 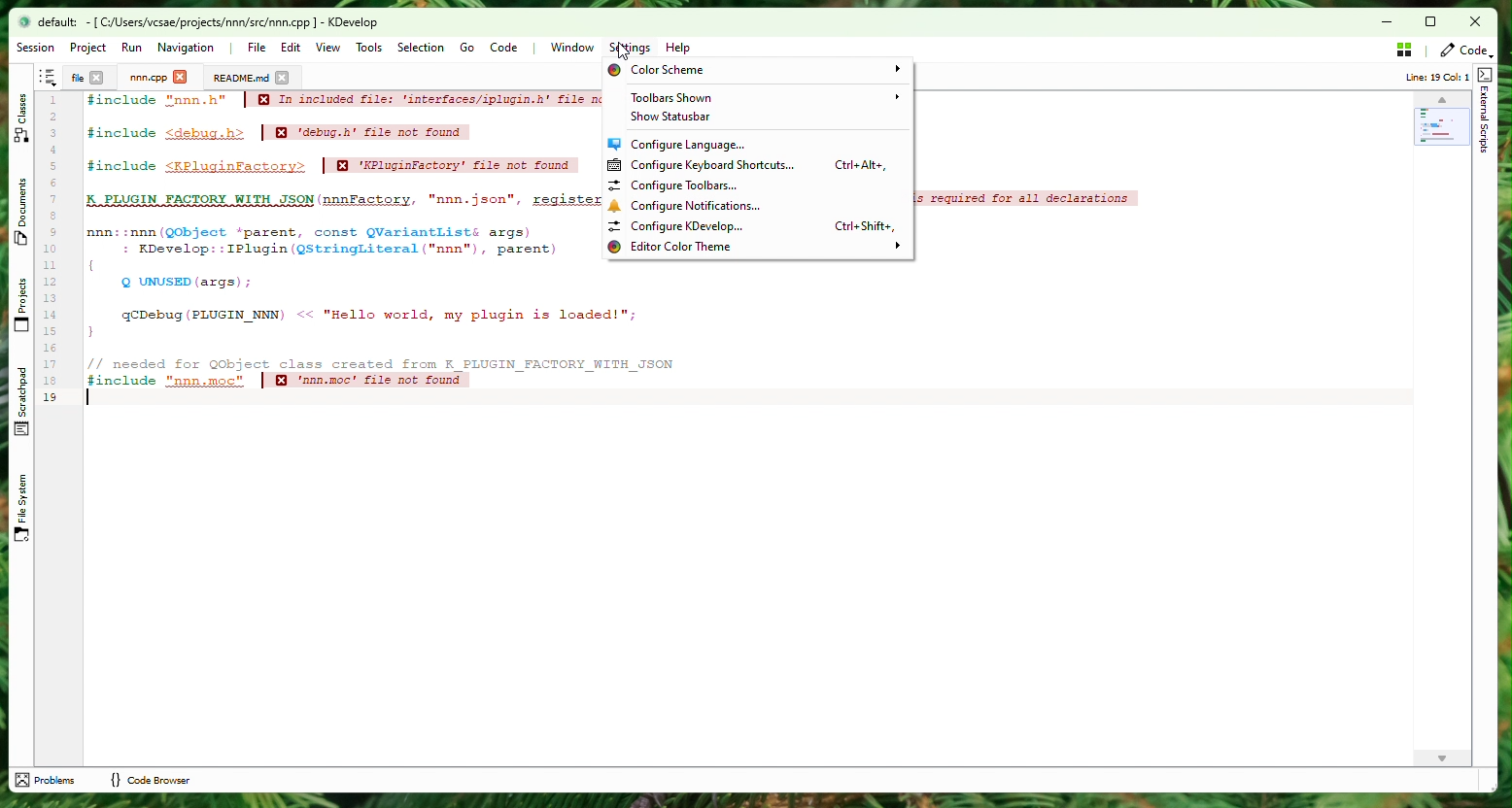 What do you see at coordinates (238, 78) in the screenshot?
I see `Doc` at bounding box center [238, 78].